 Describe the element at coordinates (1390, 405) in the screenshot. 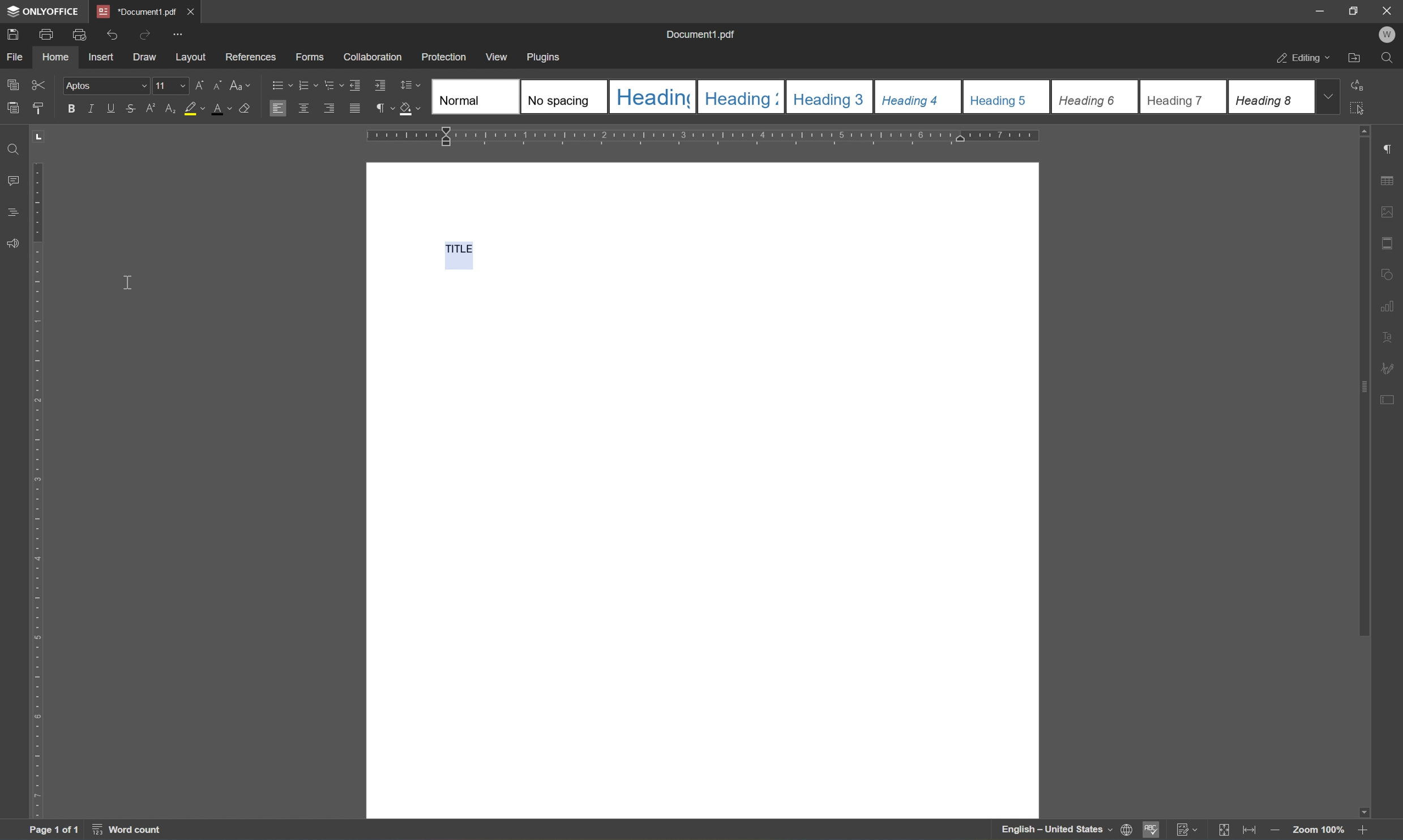

I see `form settings` at that location.